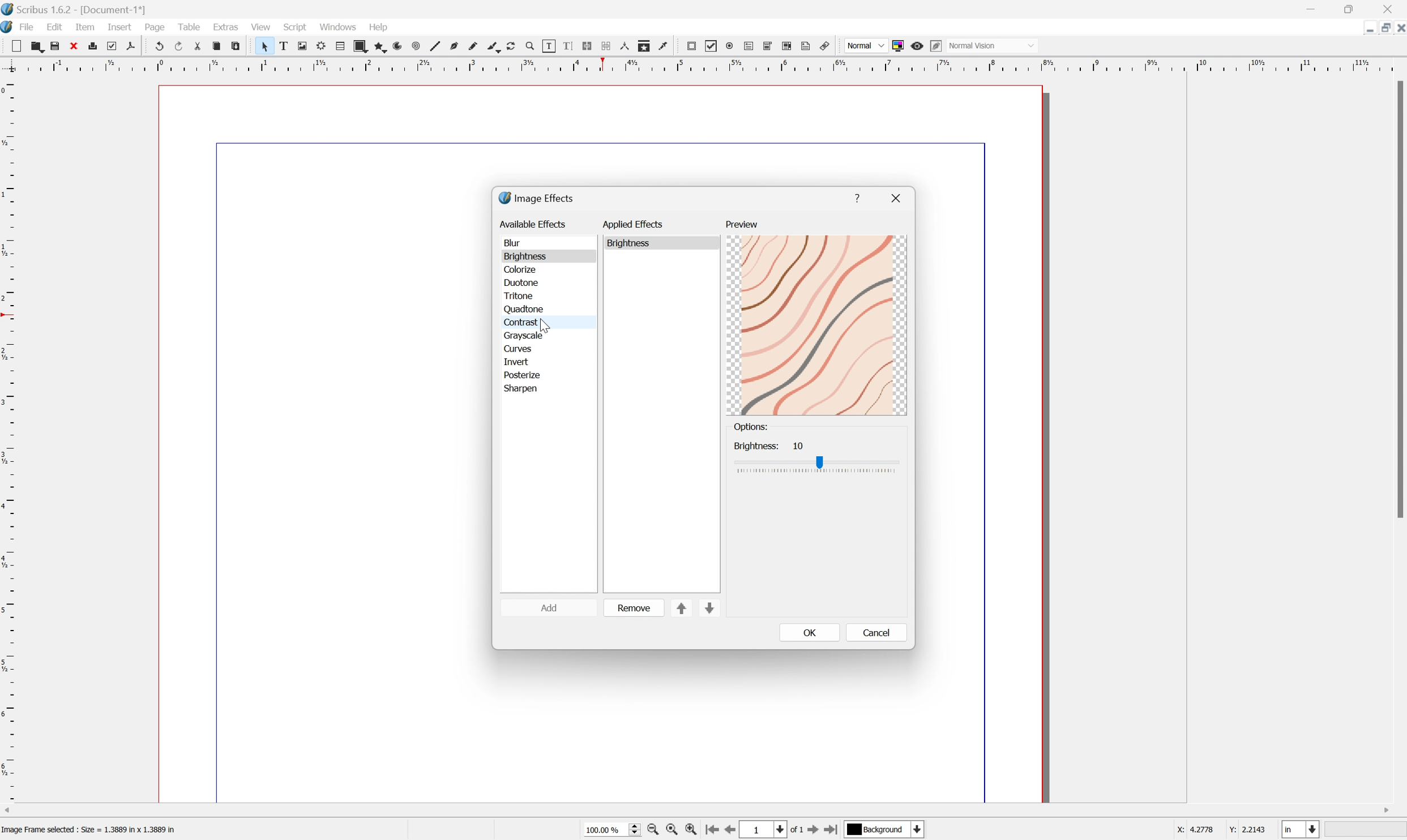 This screenshot has height=840, width=1407. What do you see at coordinates (818, 324) in the screenshot?
I see `preview brightness increased` at bounding box center [818, 324].